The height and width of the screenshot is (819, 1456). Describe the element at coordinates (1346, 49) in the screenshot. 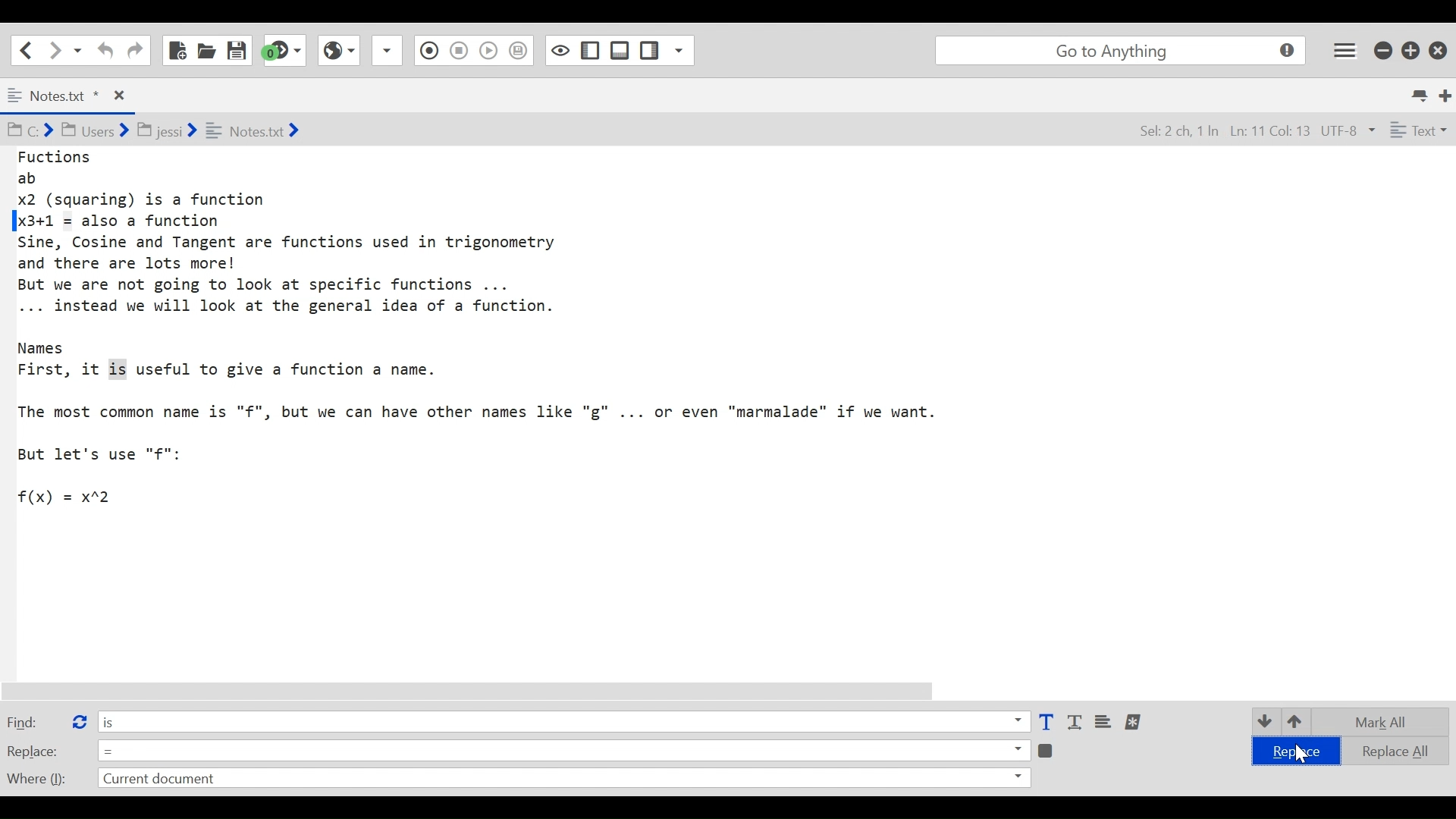

I see `Application menu` at that location.